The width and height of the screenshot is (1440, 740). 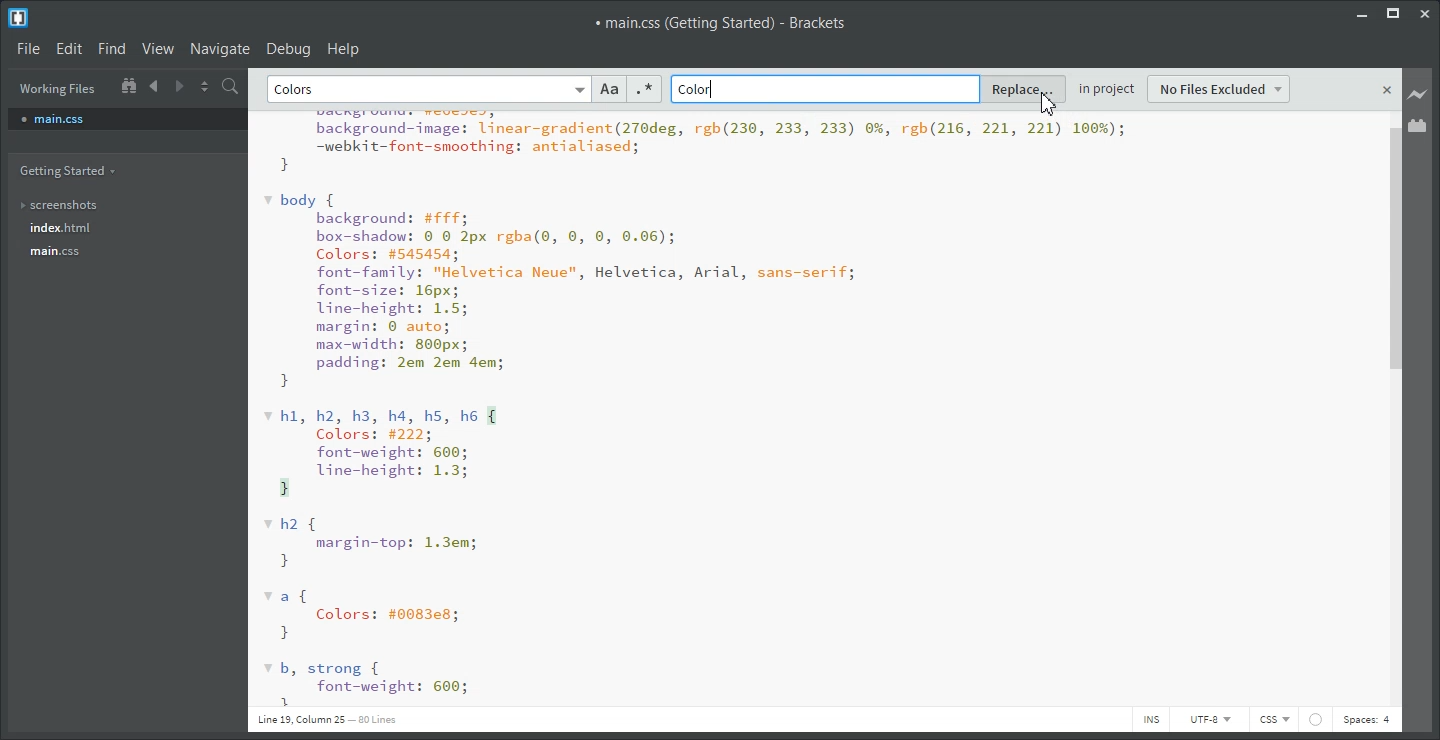 I want to click on Help, so click(x=344, y=48).